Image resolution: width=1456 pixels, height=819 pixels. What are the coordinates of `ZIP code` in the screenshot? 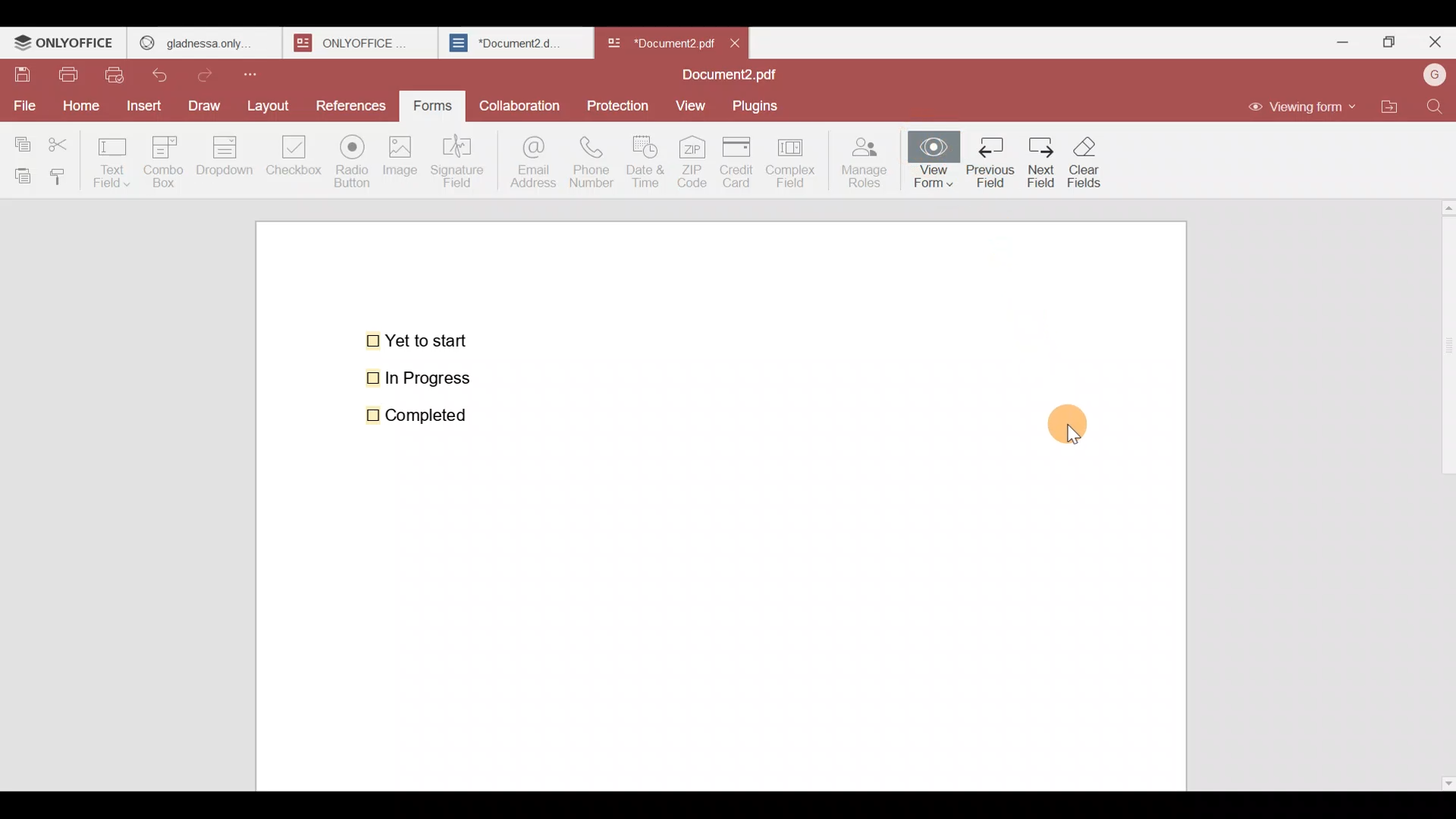 It's located at (692, 163).